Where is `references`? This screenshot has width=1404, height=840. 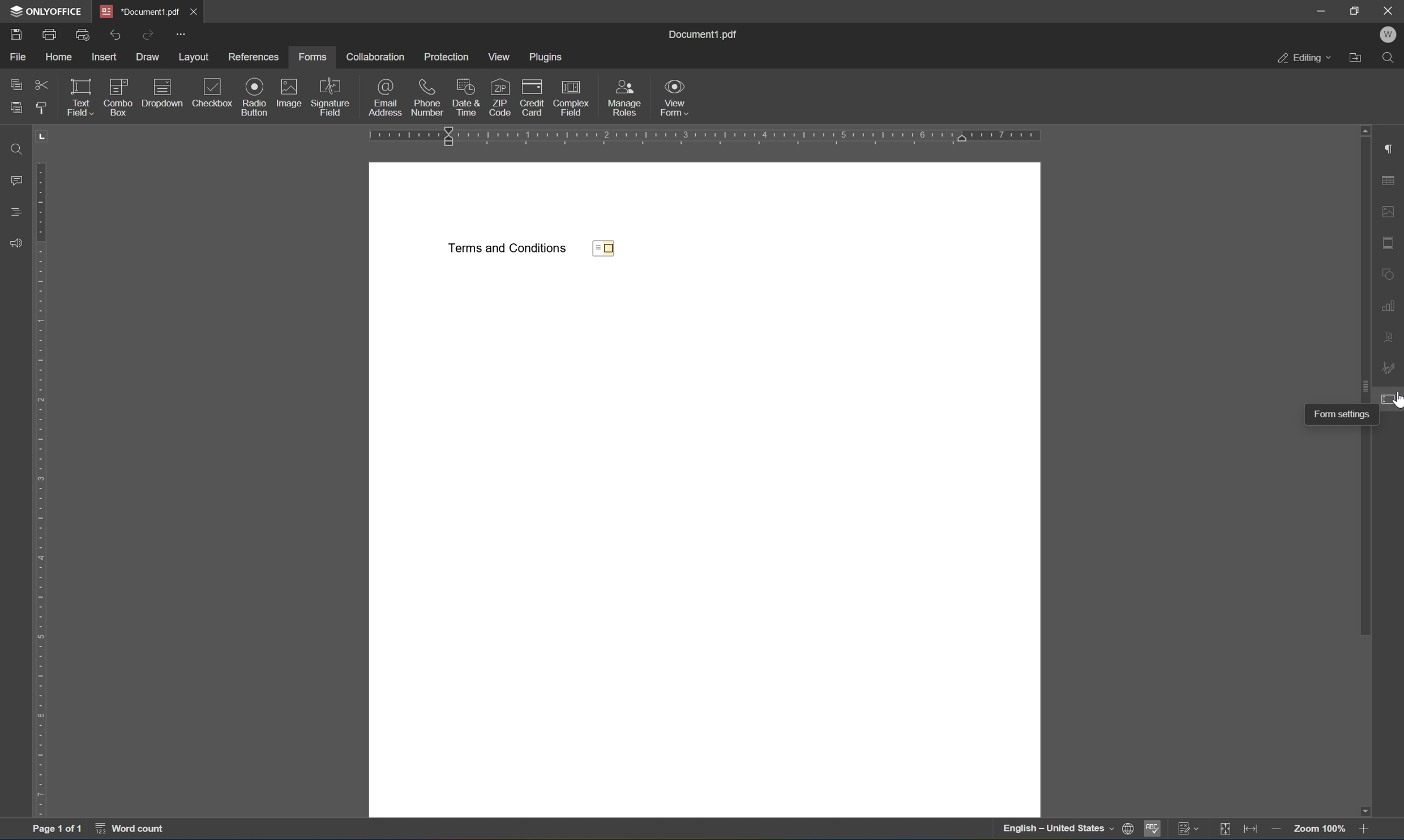
references is located at coordinates (254, 57).